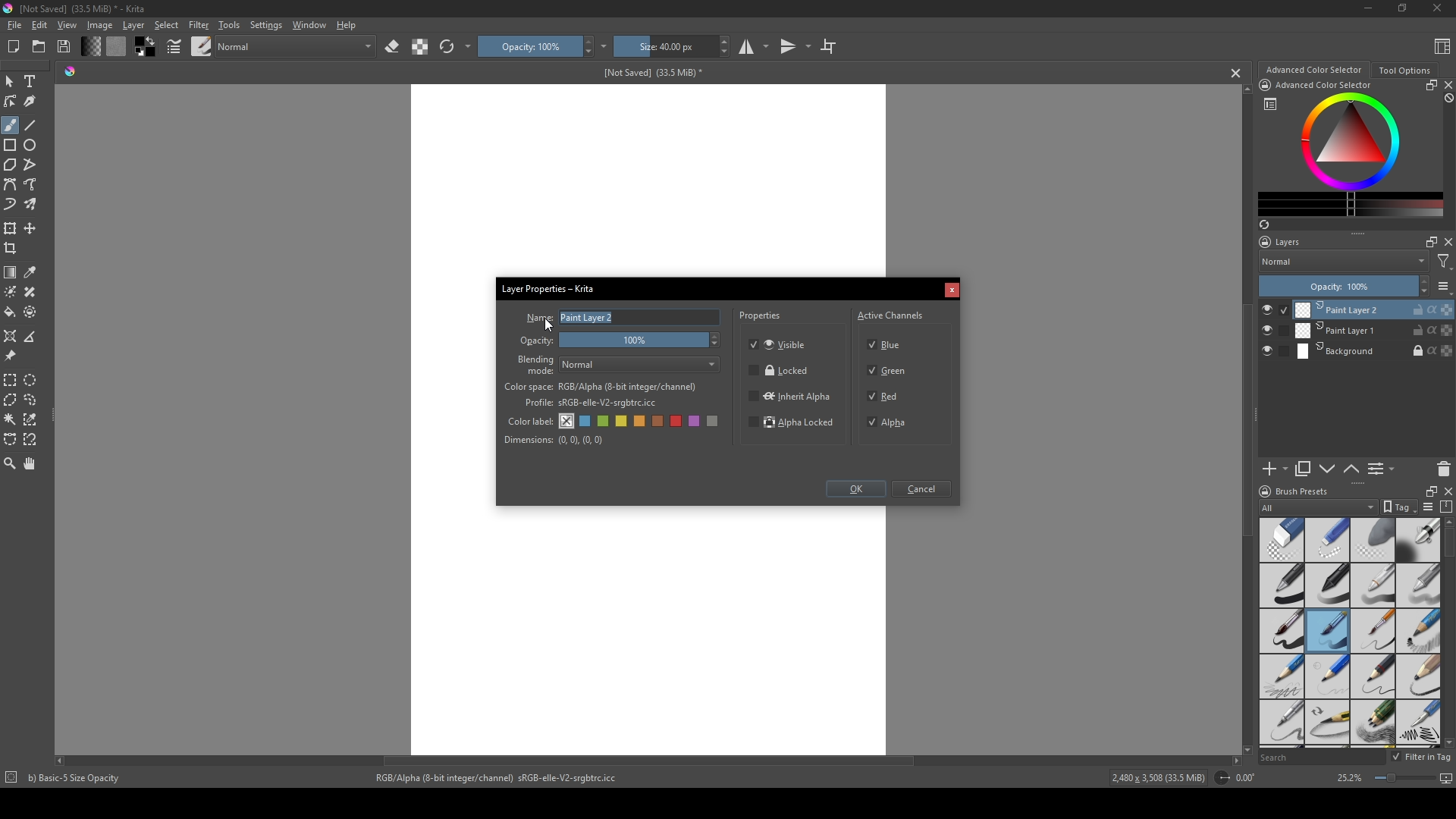 Image resolution: width=1456 pixels, height=819 pixels. What do you see at coordinates (1423, 758) in the screenshot?
I see `Filter in tag` at bounding box center [1423, 758].